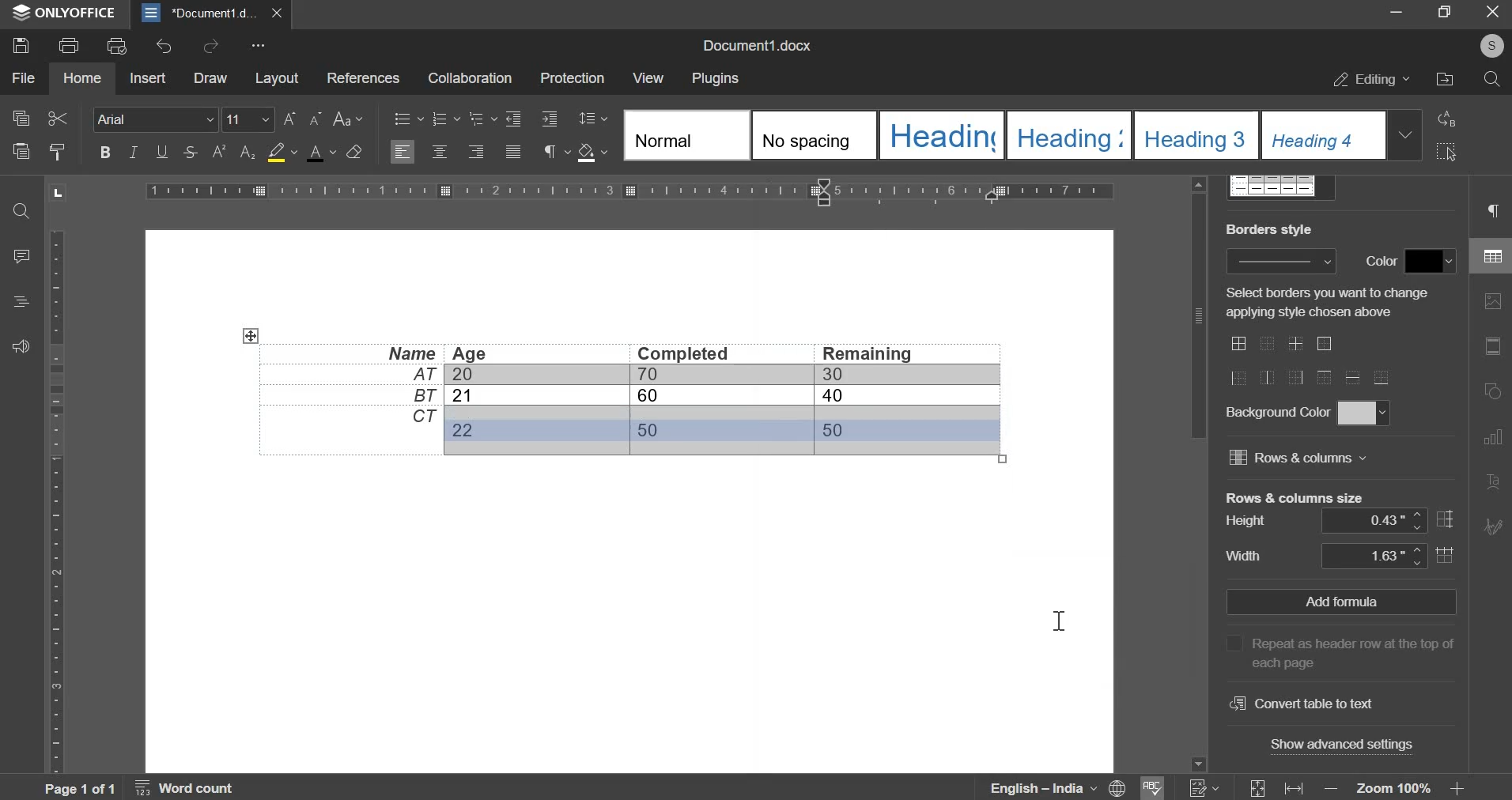 This screenshot has height=800, width=1512. Describe the element at coordinates (1387, 554) in the screenshot. I see `column width` at that location.